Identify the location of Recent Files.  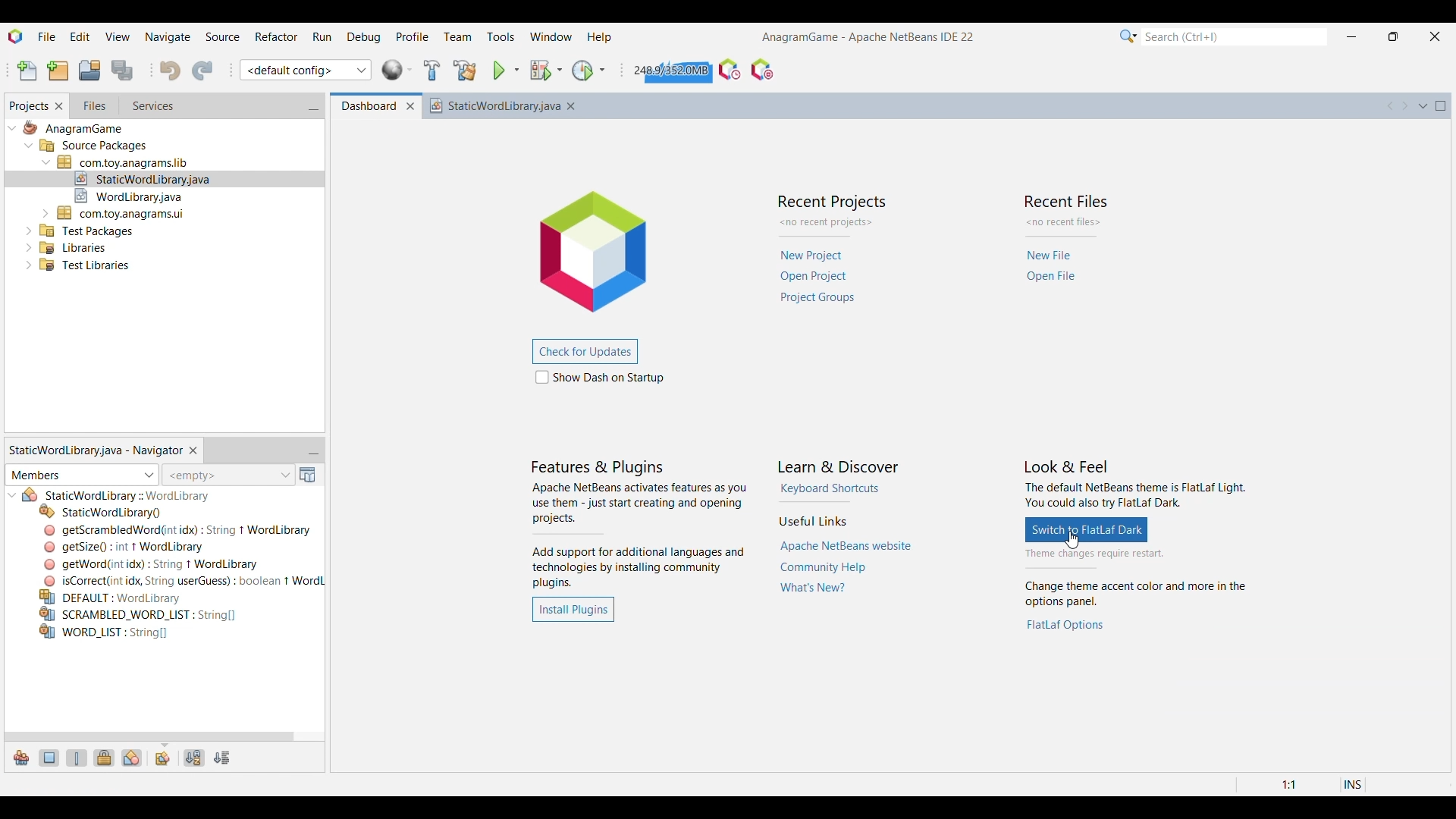
(1068, 199).